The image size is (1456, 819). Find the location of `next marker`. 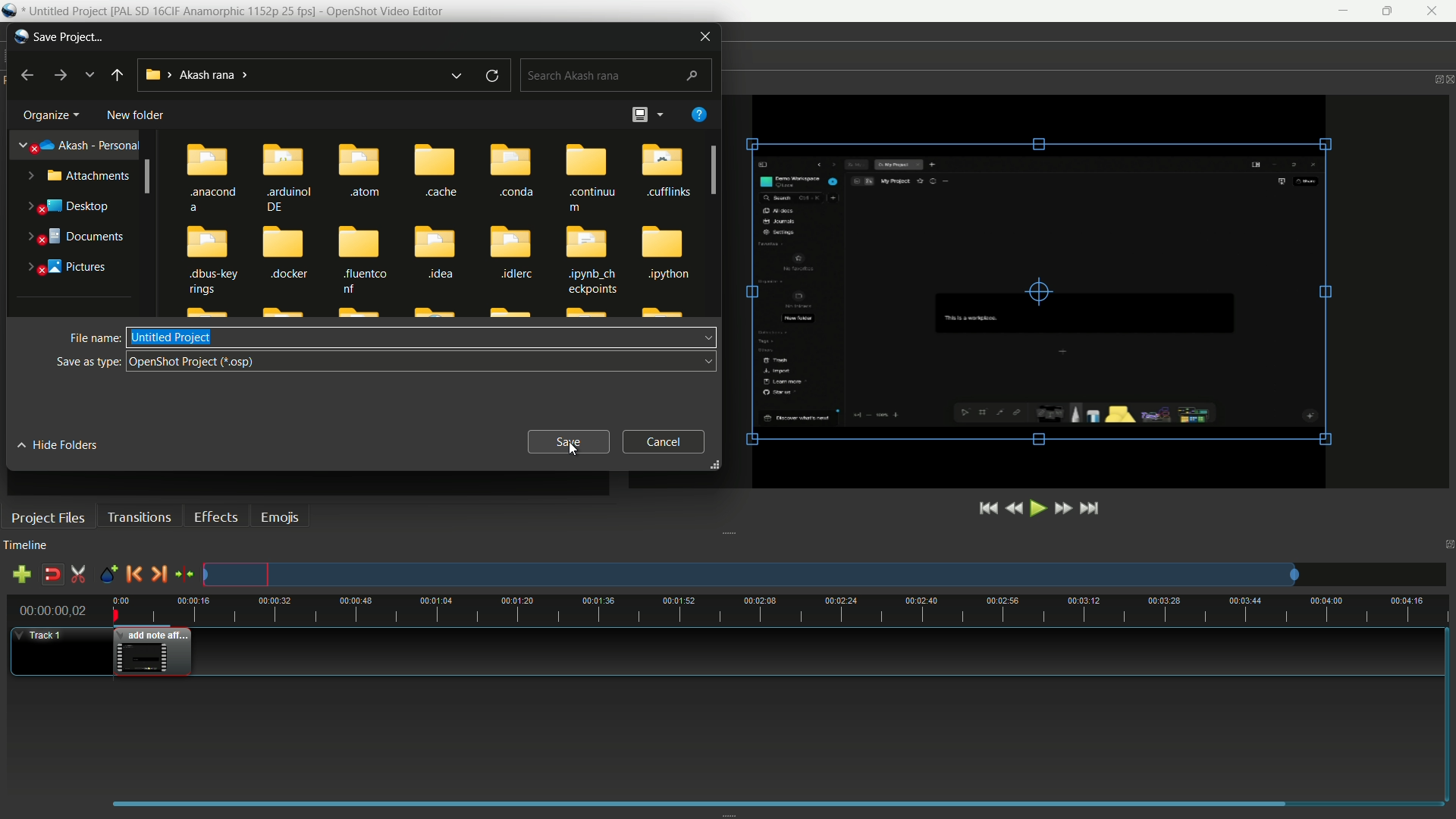

next marker is located at coordinates (158, 575).